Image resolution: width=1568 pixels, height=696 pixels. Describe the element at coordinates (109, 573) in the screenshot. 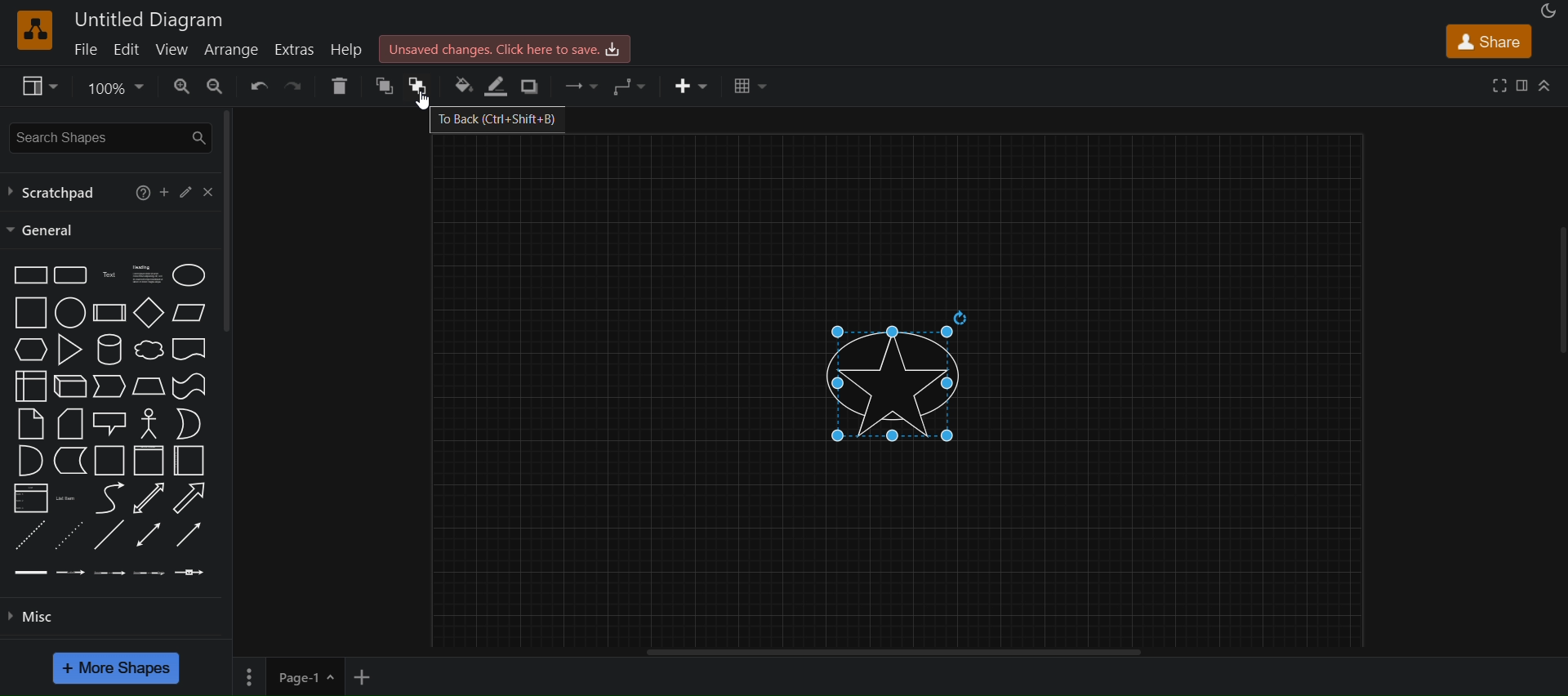

I see `connetor with 2 lable` at that location.